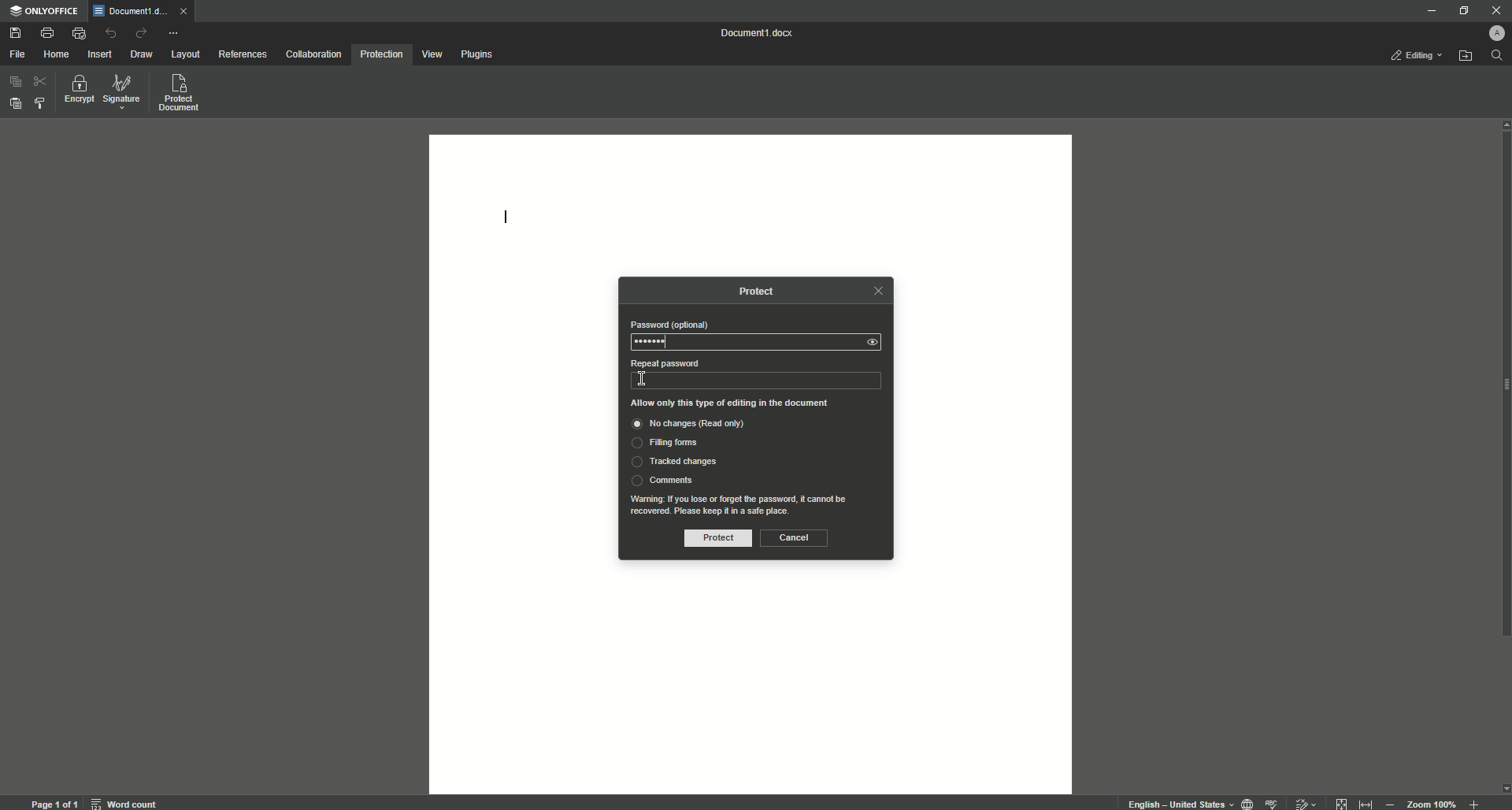 This screenshot has height=810, width=1512. I want to click on track changes, so click(1303, 801).